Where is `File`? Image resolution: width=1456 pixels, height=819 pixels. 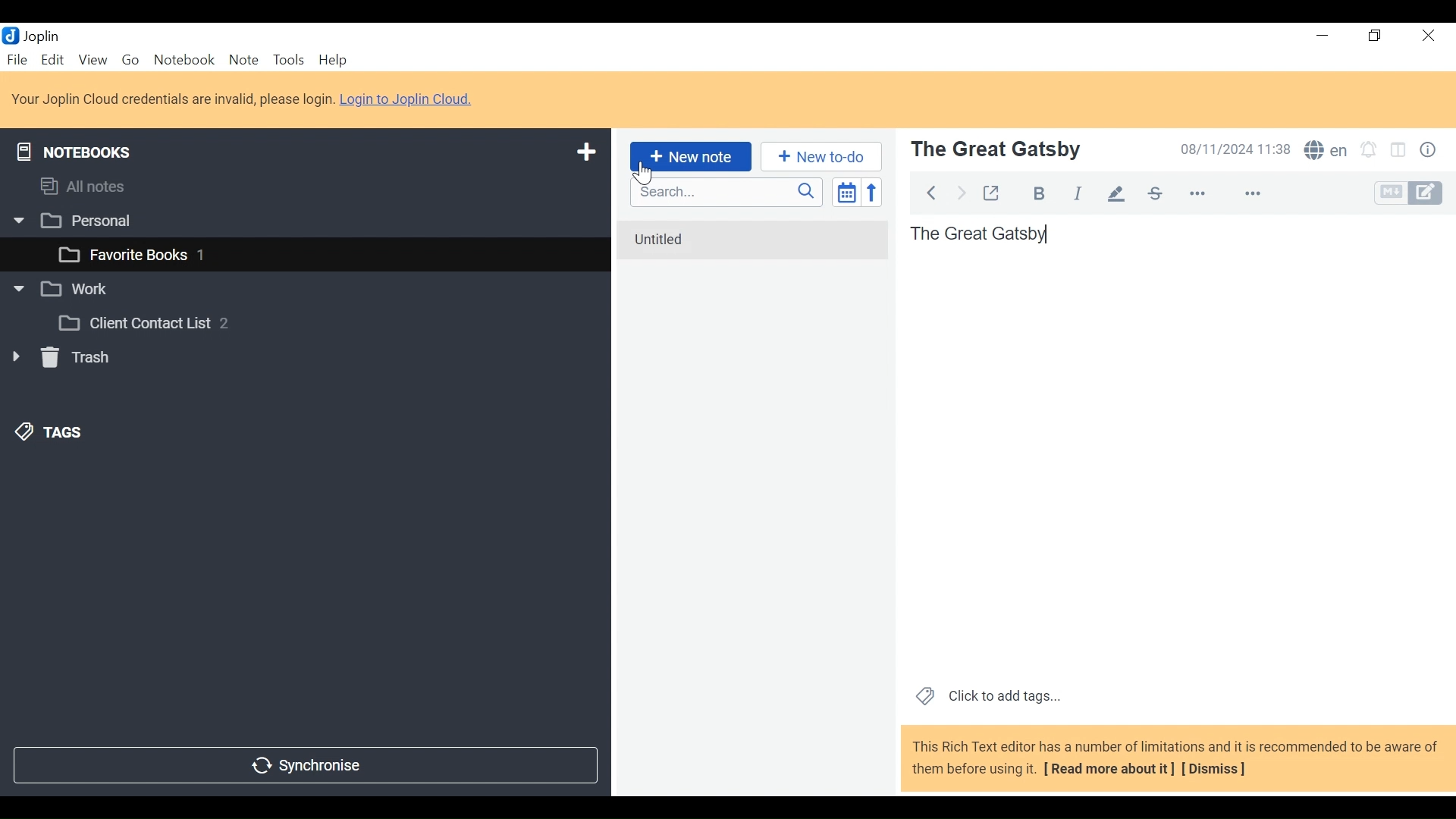 File is located at coordinates (17, 58).